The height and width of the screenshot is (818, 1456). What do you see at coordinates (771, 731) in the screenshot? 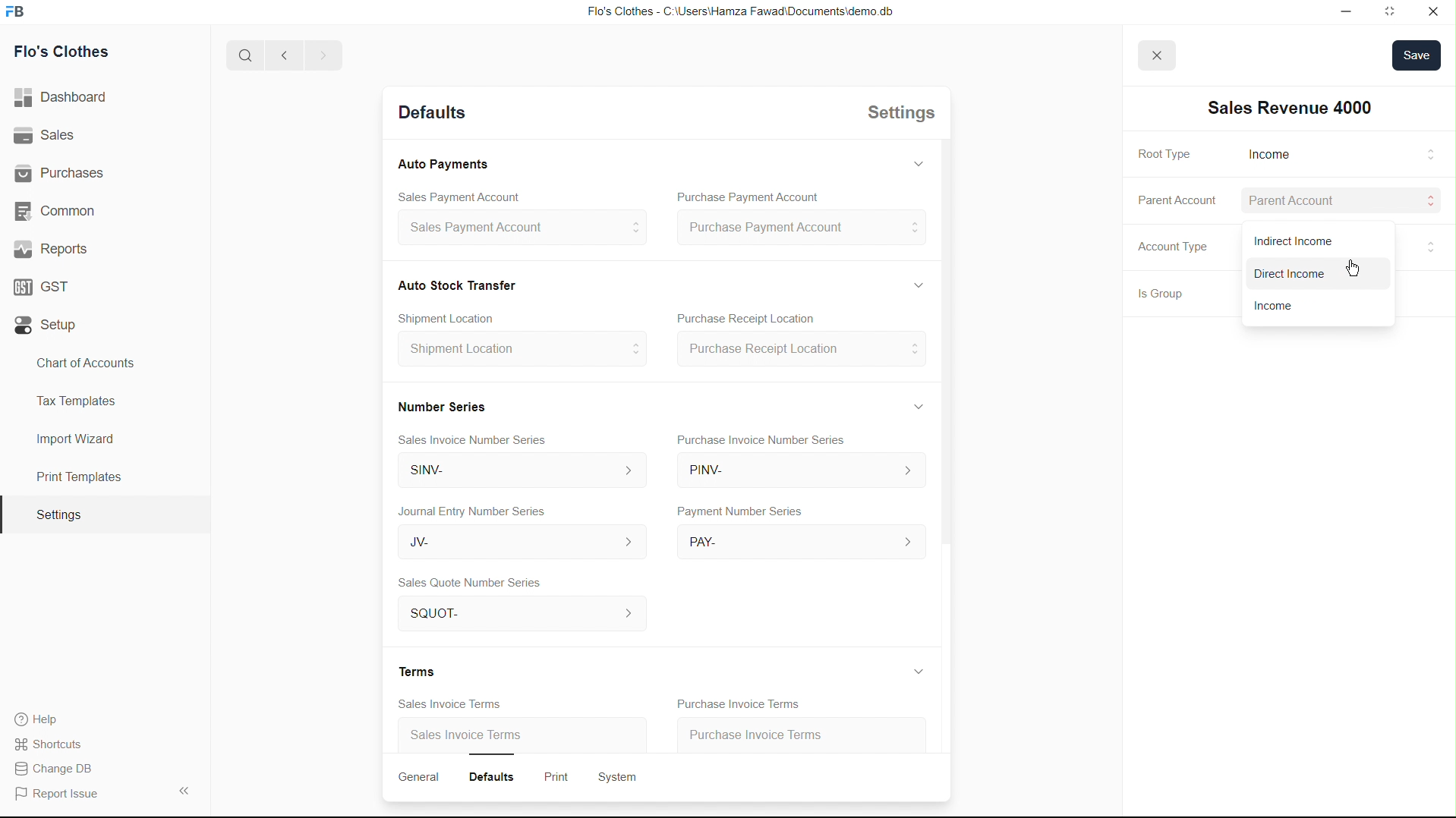
I see `Purchase Invoice Terms` at bounding box center [771, 731].